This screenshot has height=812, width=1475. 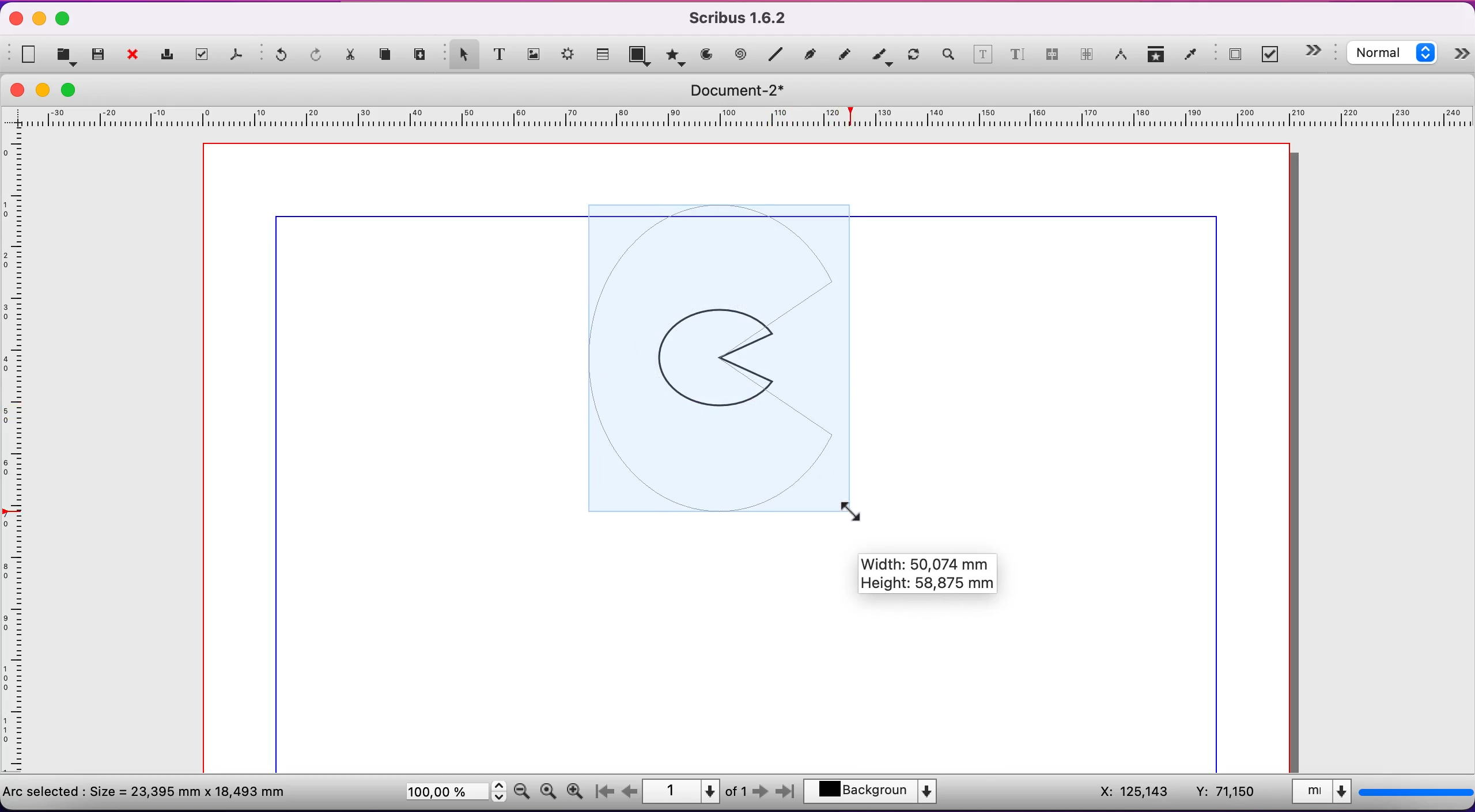 I want to click on print, so click(x=170, y=55).